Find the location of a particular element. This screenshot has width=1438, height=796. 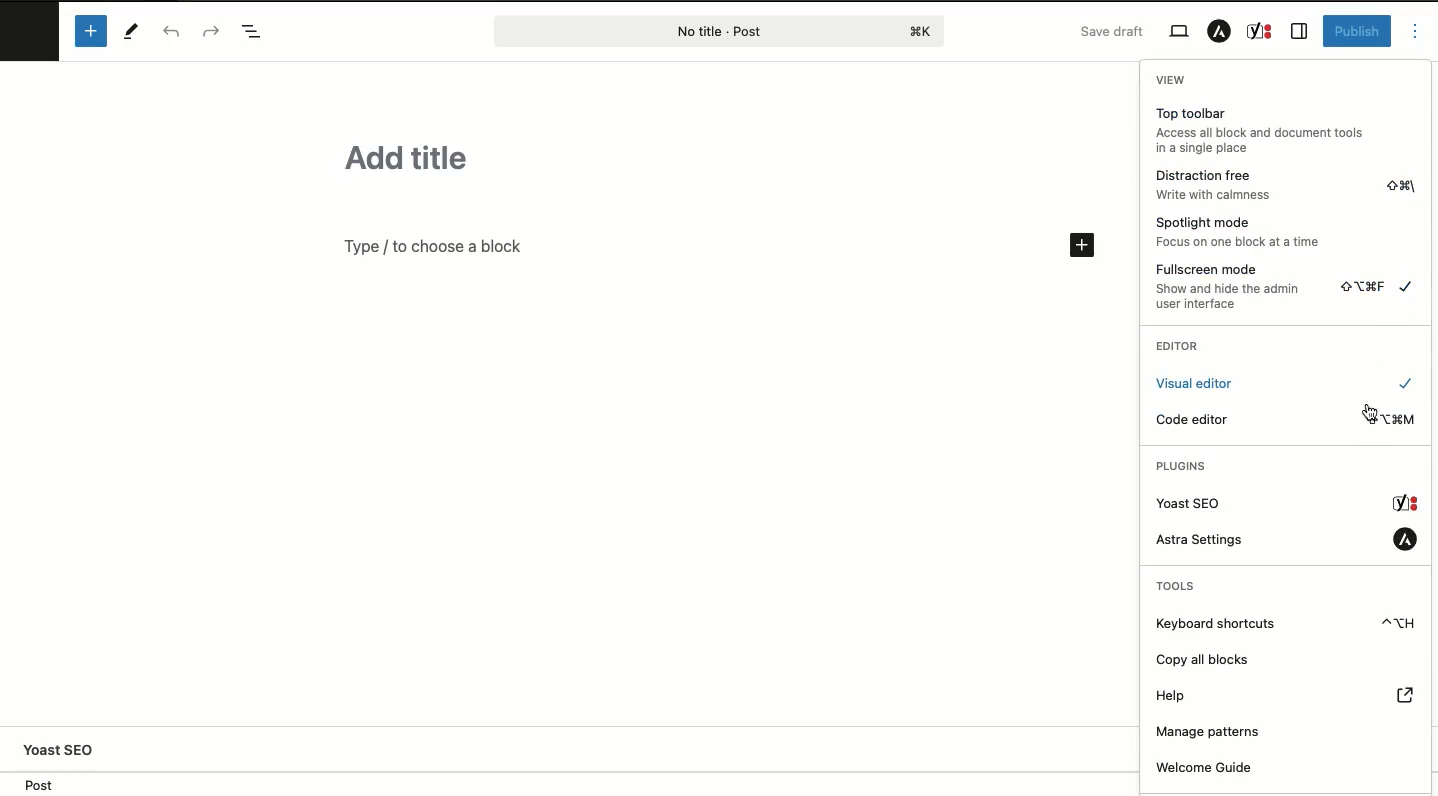

Fullscreen mode is located at coordinates (1284, 285).